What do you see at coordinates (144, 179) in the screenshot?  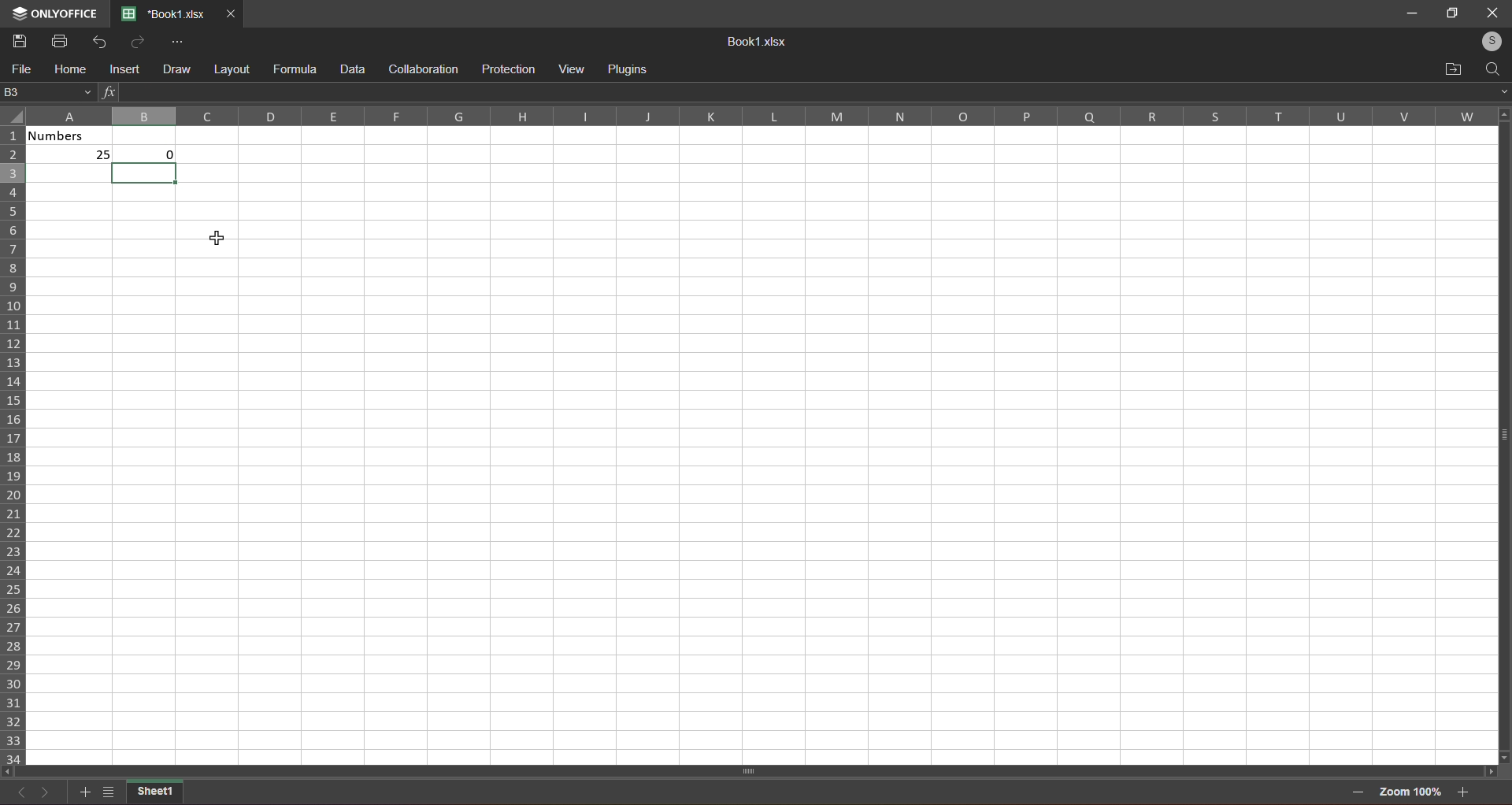 I see `select cell` at bounding box center [144, 179].